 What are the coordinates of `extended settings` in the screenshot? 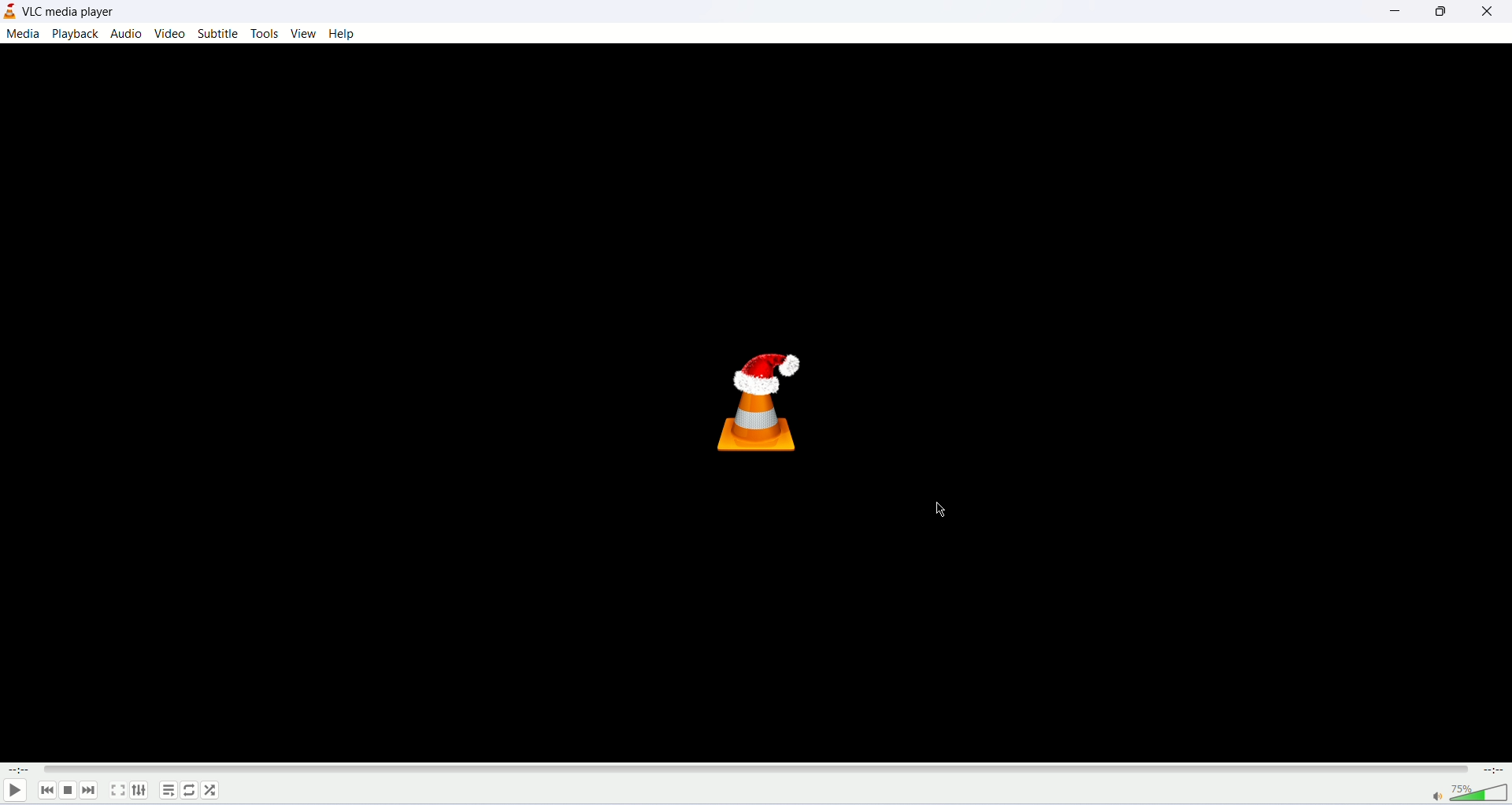 It's located at (139, 789).